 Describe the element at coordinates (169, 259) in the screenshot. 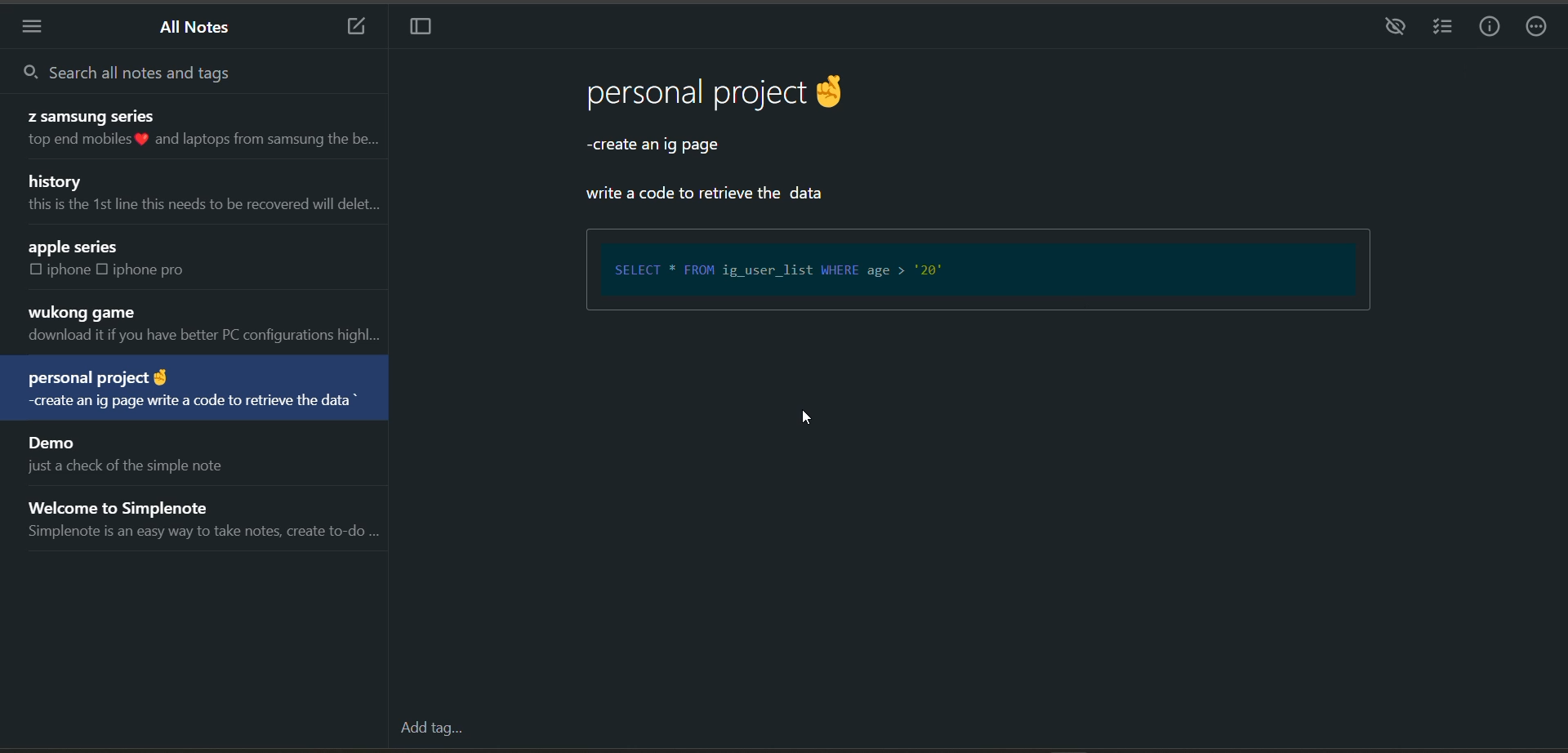

I see `note title  and preview` at that location.